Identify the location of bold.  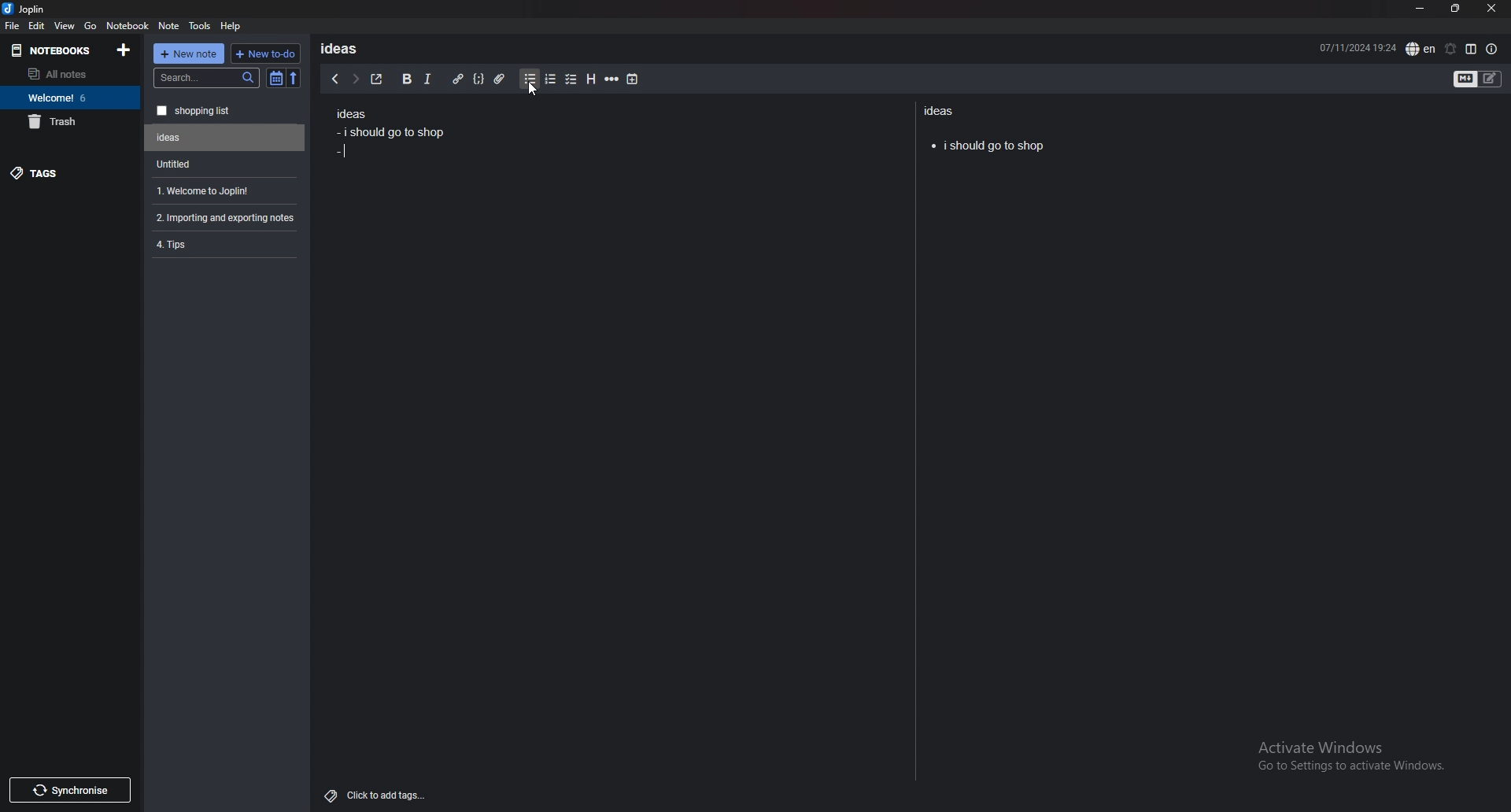
(405, 79).